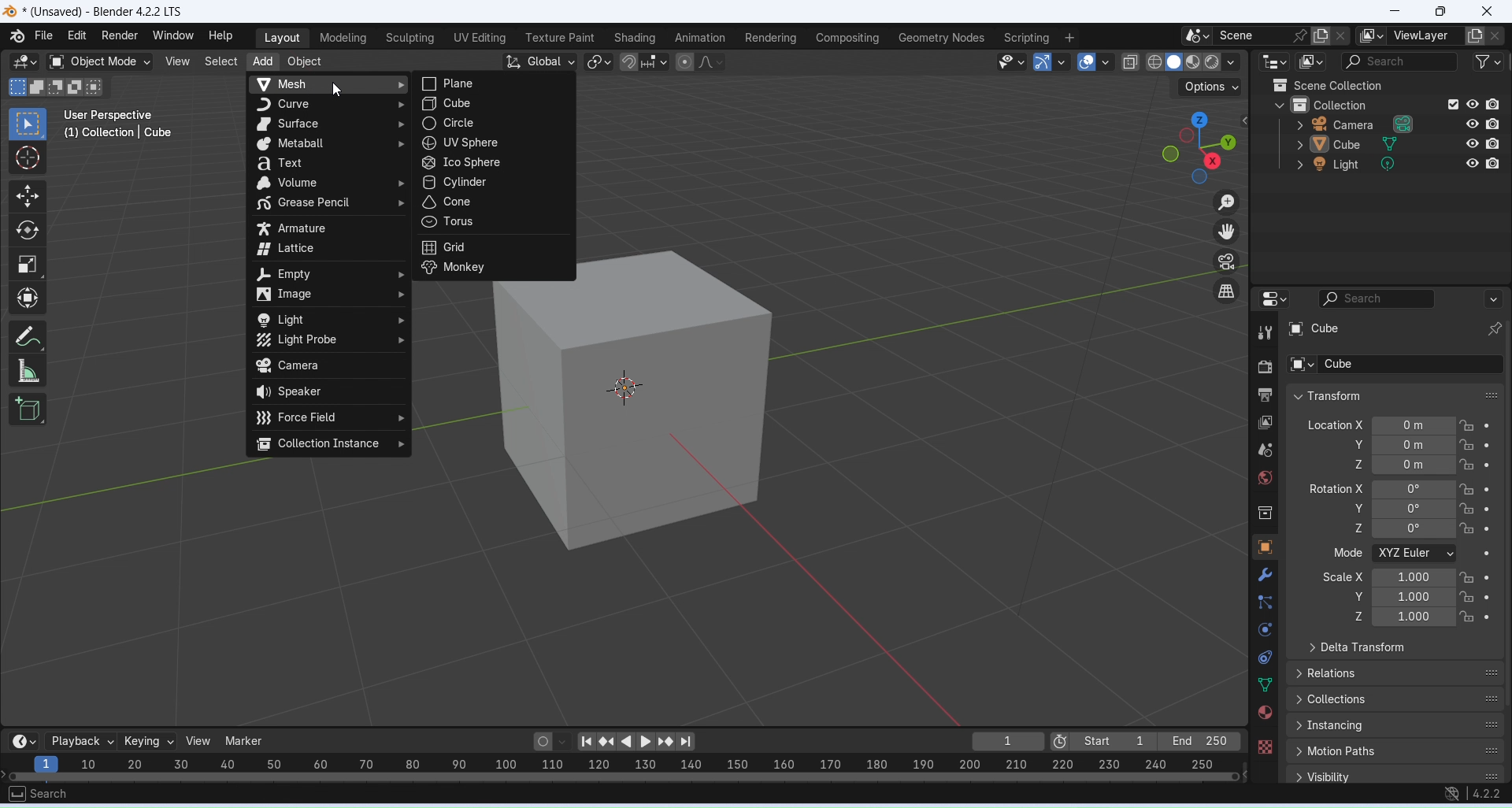 The width and height of the screenshot is (1512, 808). Describe the element at coordinates (1356, 464) in the screenshot. I see `Location Z` at that location.